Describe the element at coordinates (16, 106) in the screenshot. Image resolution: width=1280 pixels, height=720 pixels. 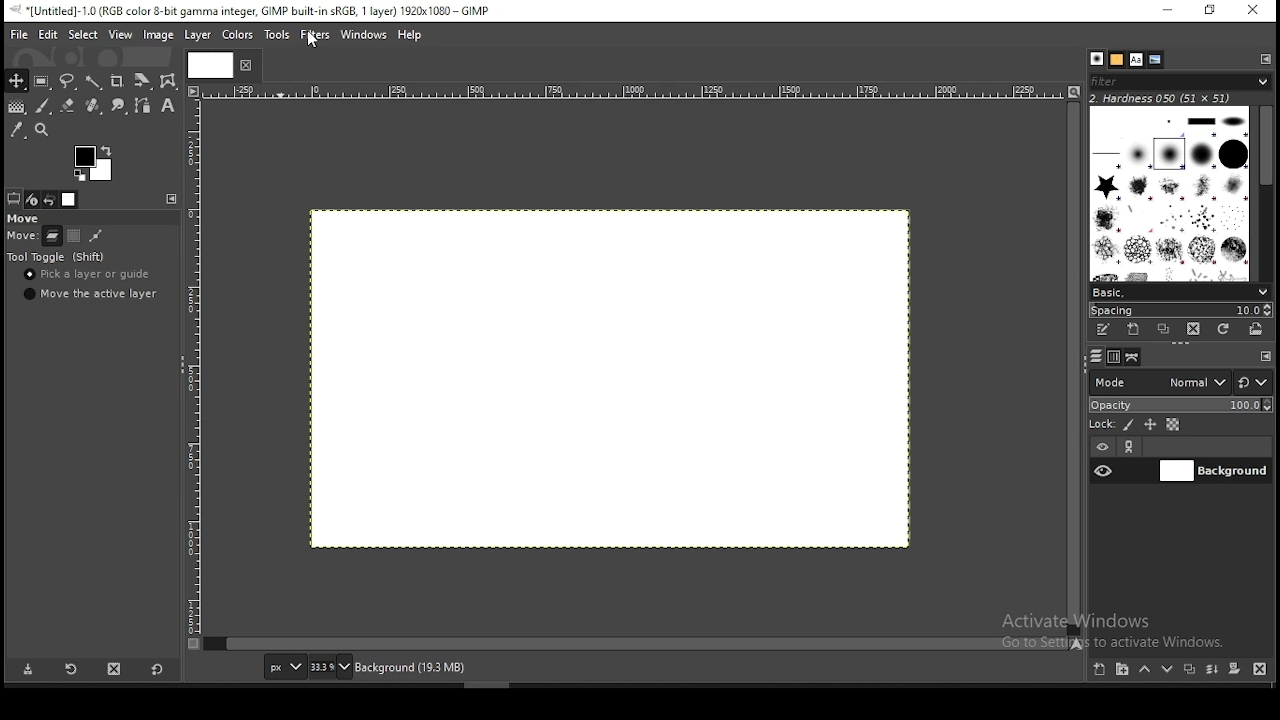
I see `gradient tool` at that location.